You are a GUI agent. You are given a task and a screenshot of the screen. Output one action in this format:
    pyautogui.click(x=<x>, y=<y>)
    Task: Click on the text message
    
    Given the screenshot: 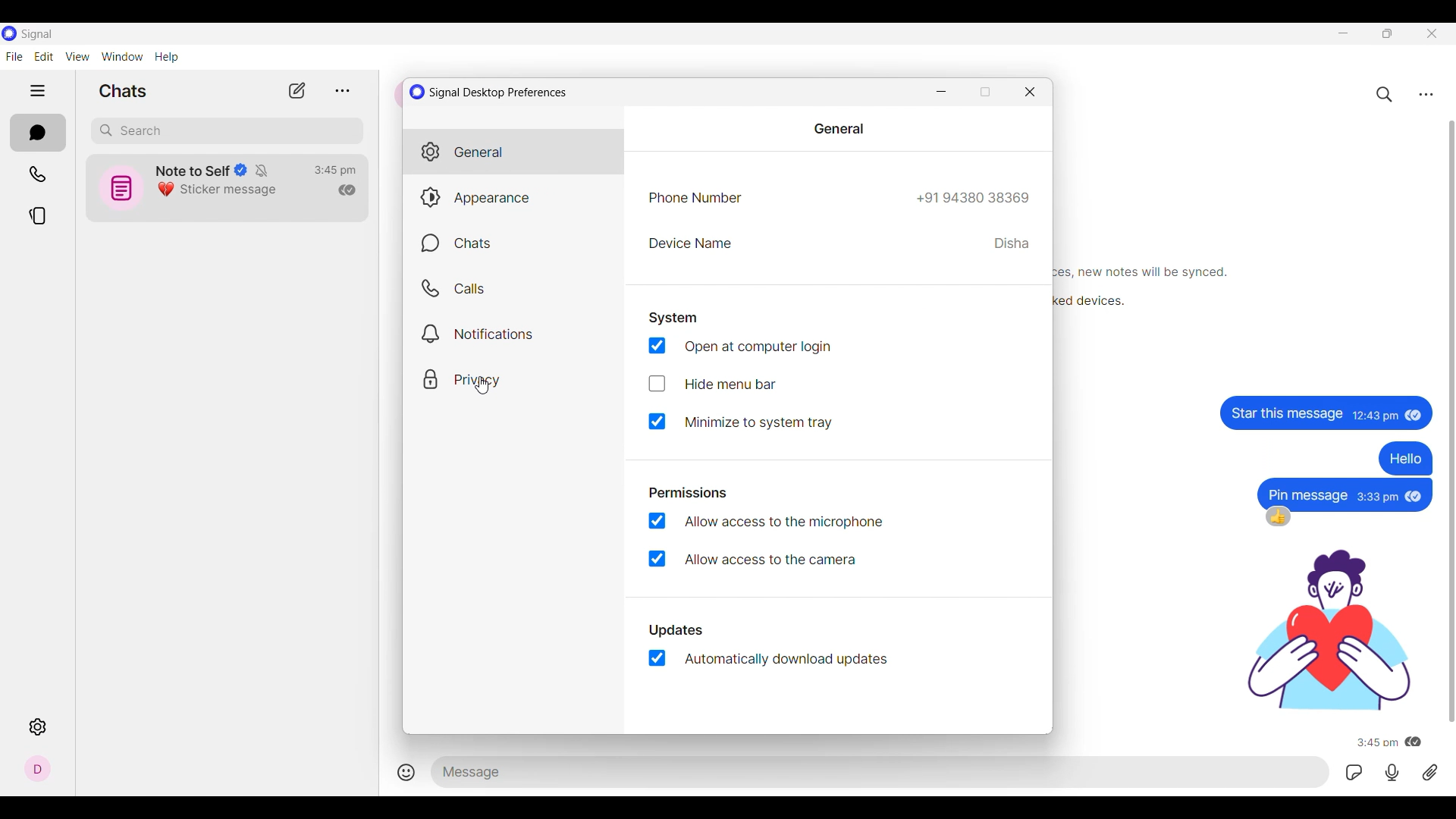 What is the action you would take?
    pyautogui.click(x=1403, y=459)
    